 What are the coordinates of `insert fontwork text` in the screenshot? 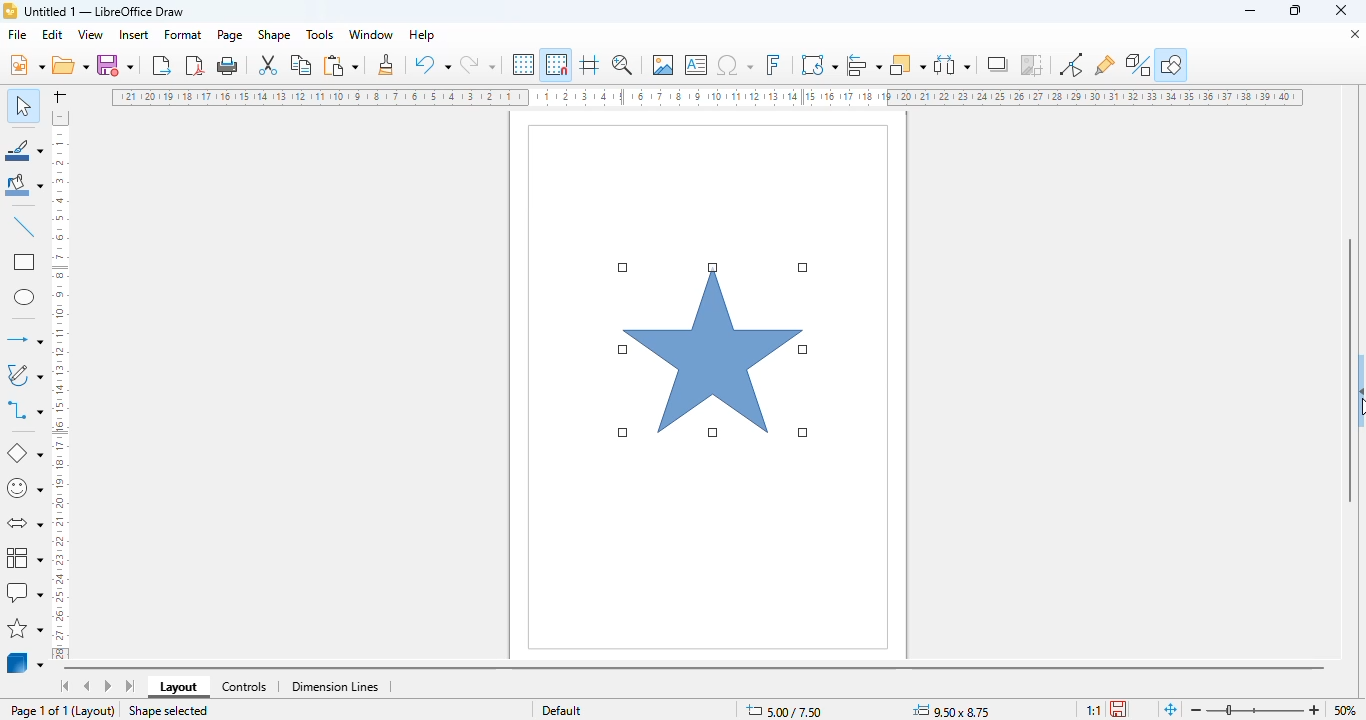 It's located at (773, 64).